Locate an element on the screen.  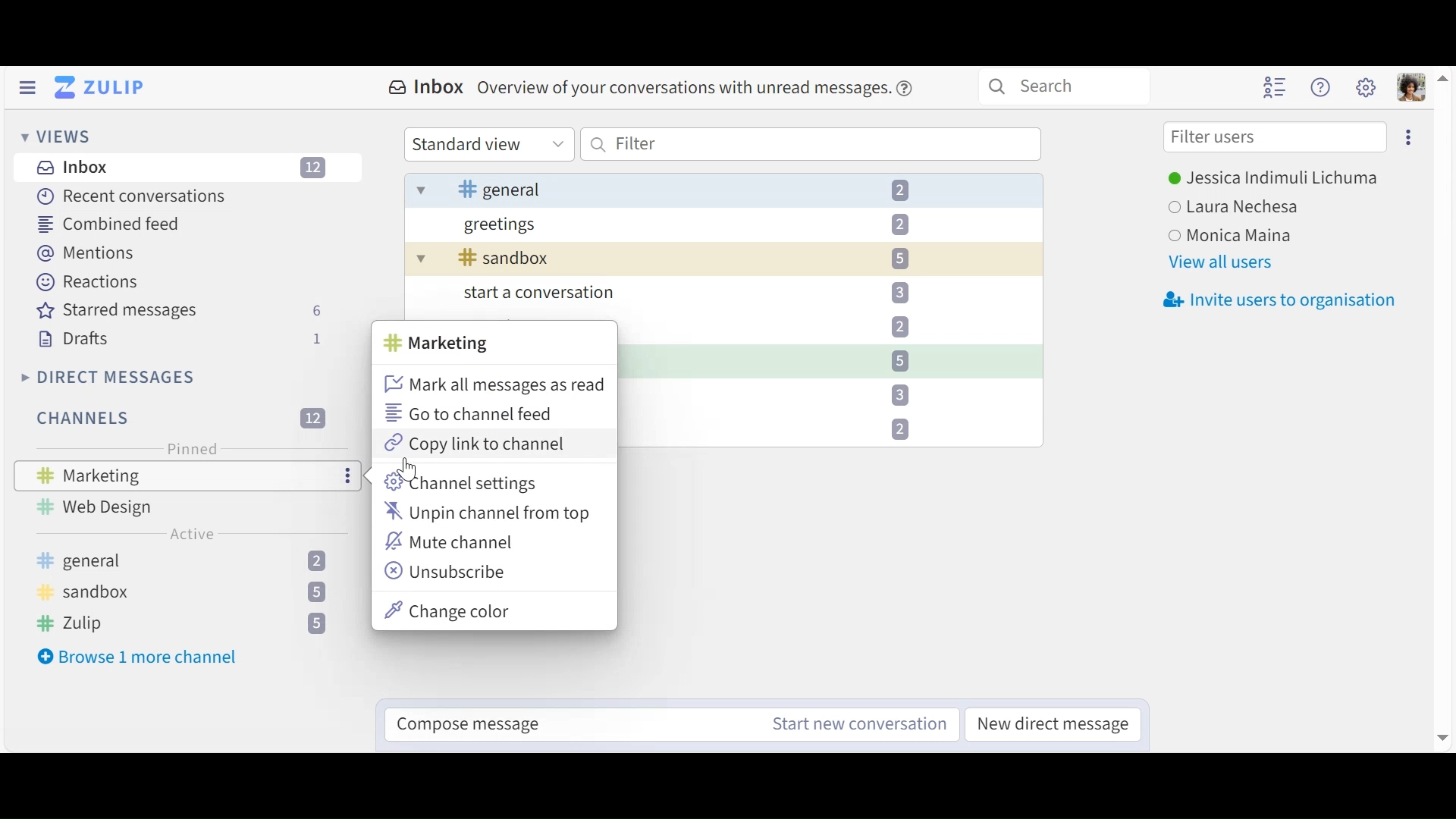
 sandbox is located at coordinates (708, 259).